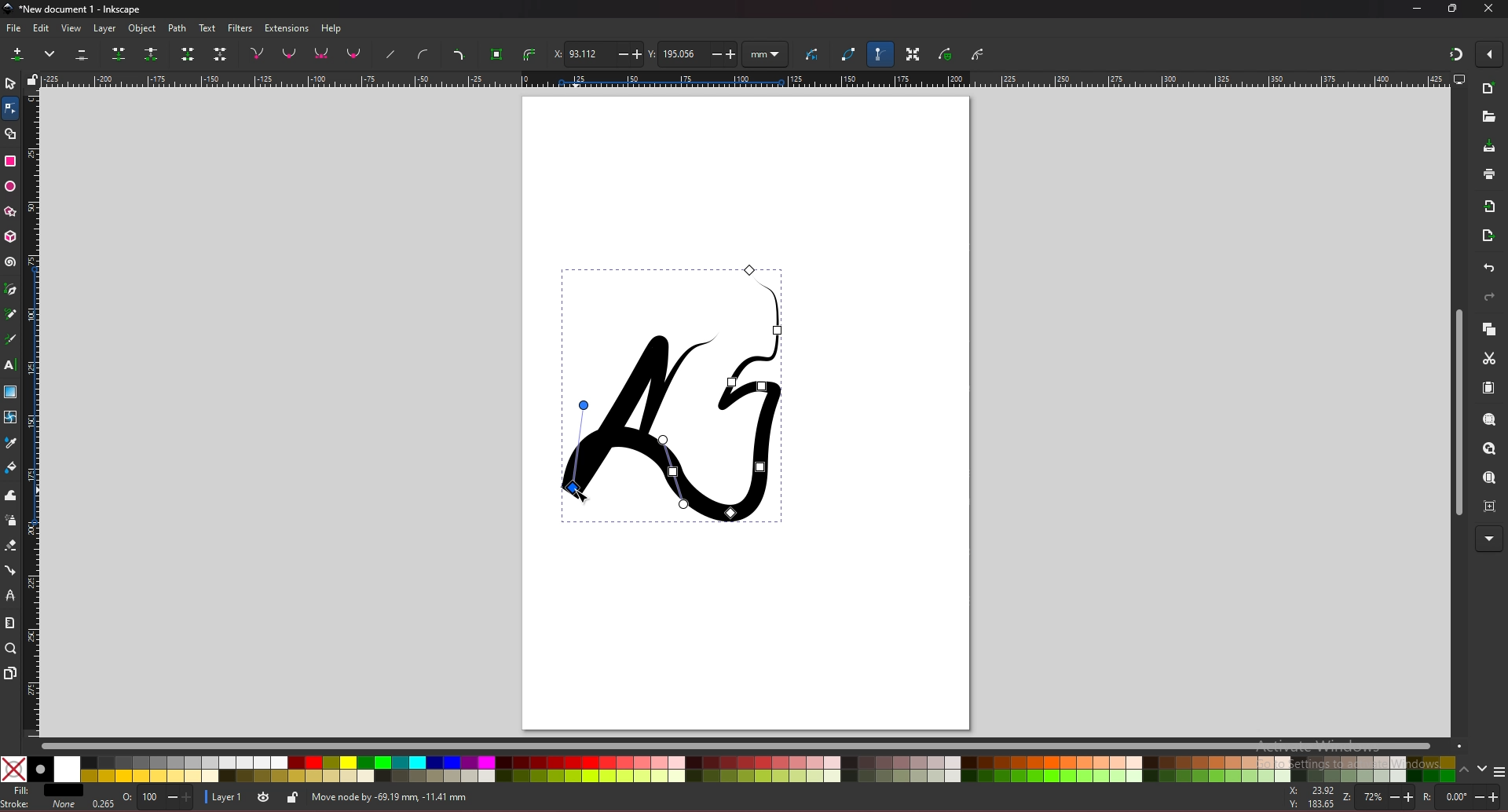 This screenshot has height=812, width=1508. I want to click on vertical scale, so click(33, 411).